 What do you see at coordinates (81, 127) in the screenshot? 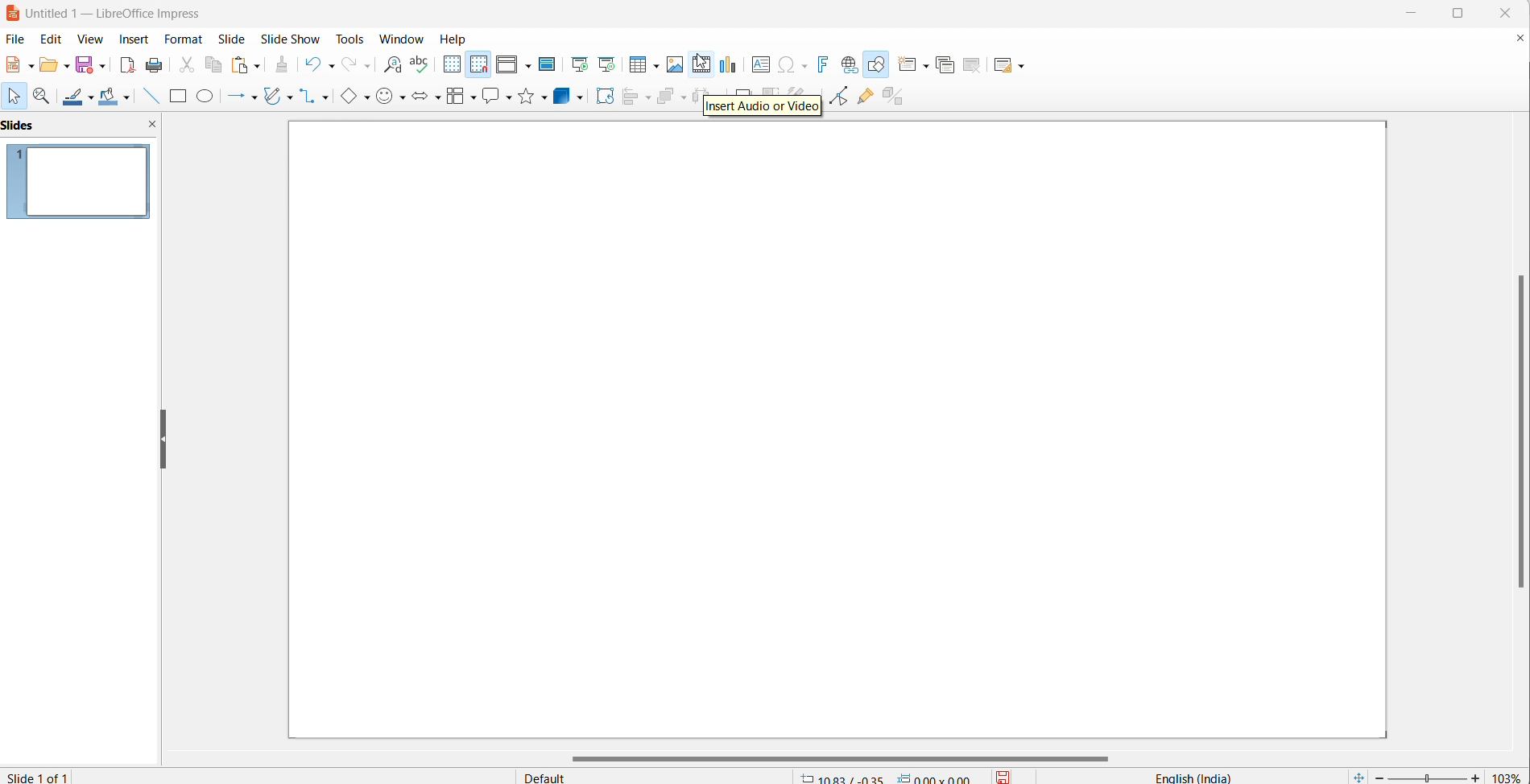
I see `slides and close slidepane` at bounding box center [81, 127].